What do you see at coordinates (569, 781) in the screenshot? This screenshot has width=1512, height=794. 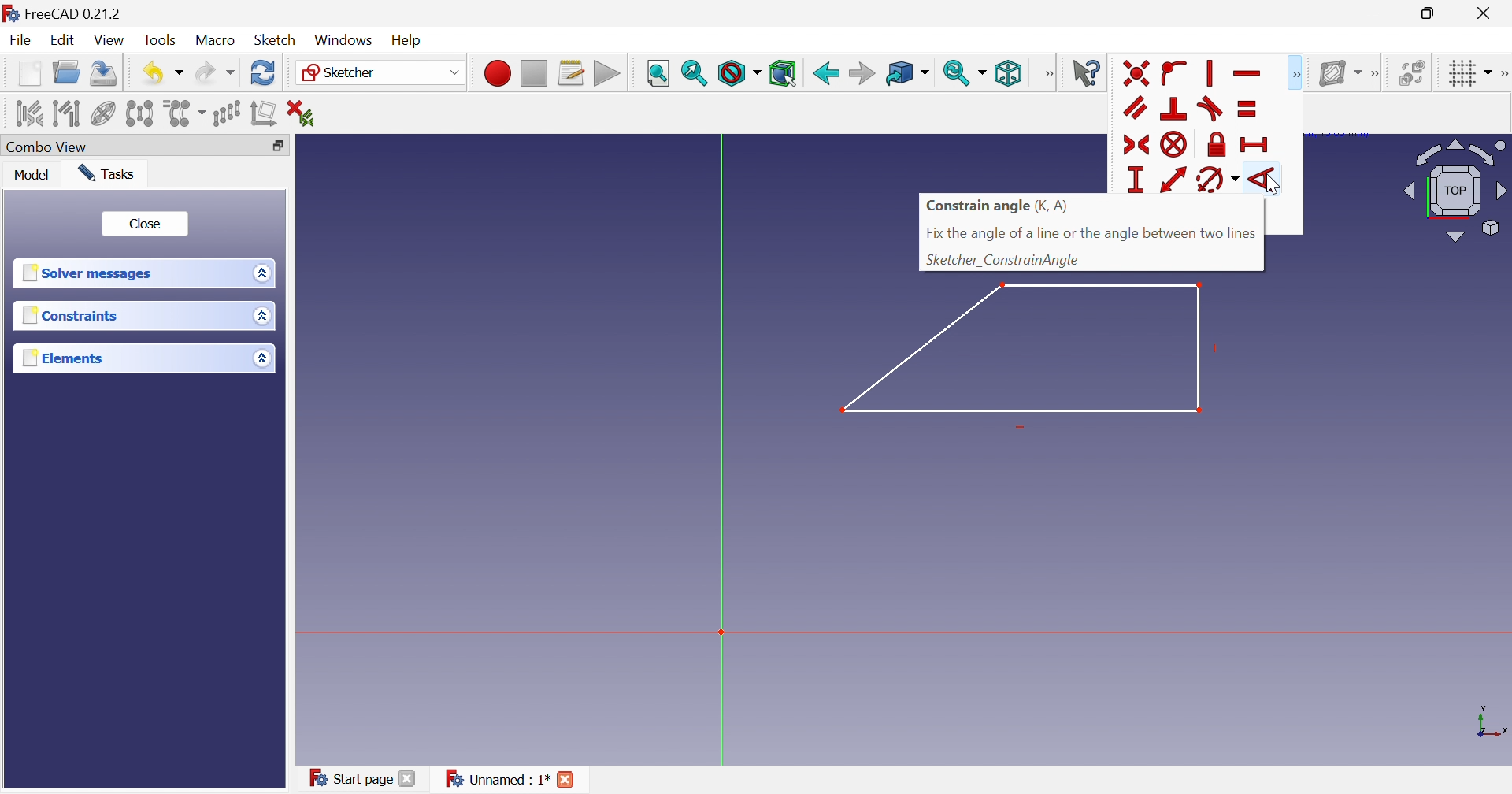 I see `Close` at bounding box center [569, 781].